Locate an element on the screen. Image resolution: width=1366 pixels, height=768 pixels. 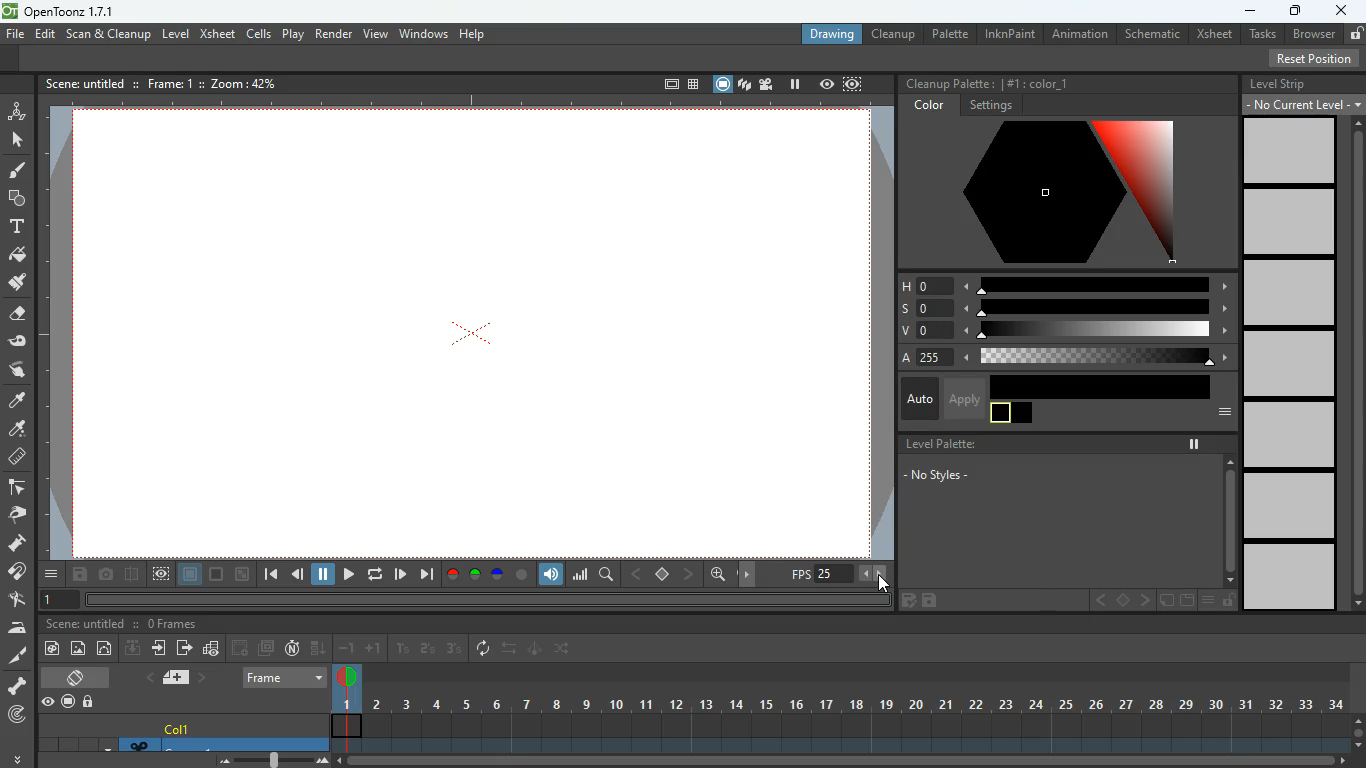
replay is located at coordinates (373, 575).